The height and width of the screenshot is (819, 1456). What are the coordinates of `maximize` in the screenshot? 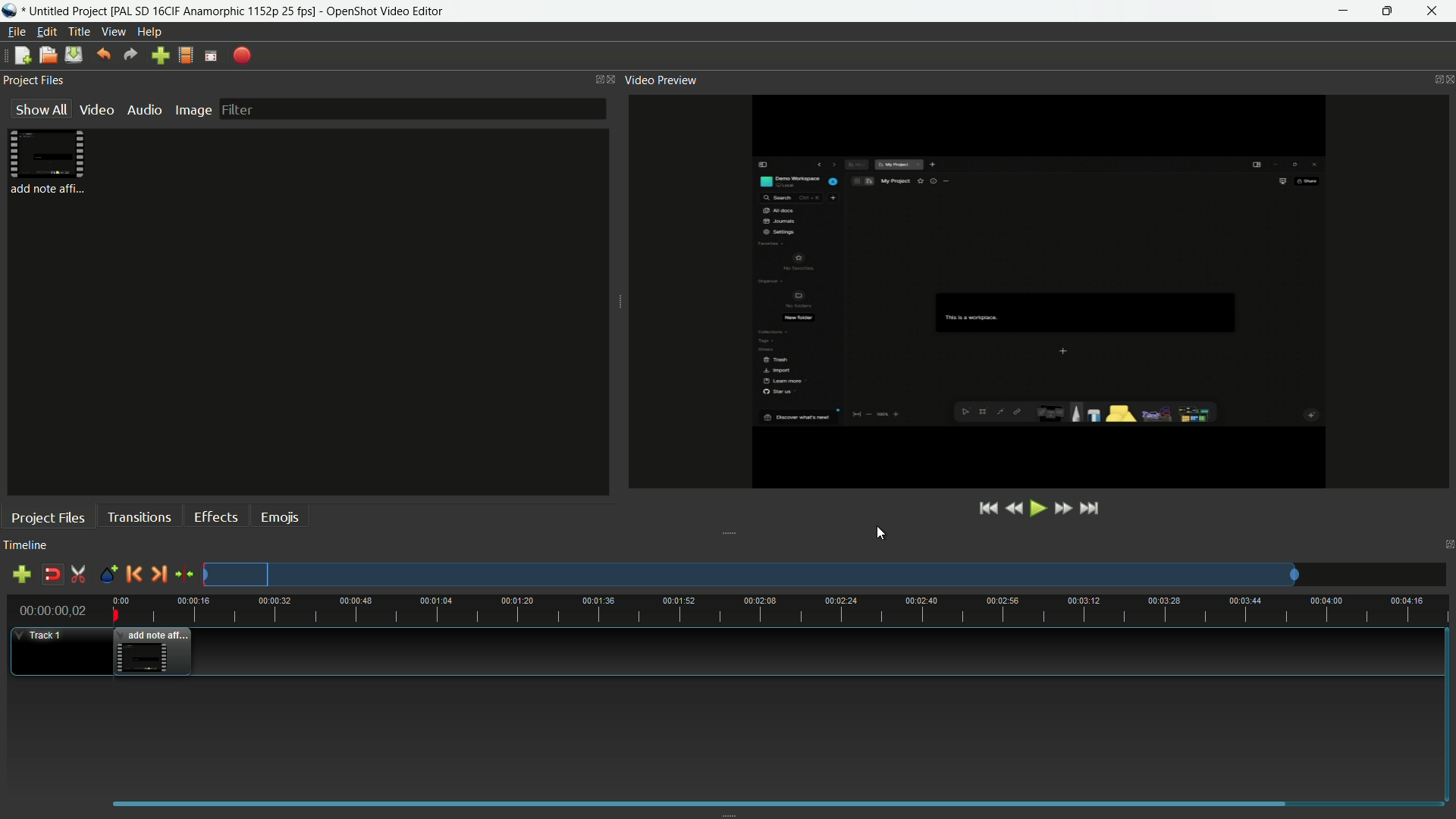 It's located at (1389, 11).